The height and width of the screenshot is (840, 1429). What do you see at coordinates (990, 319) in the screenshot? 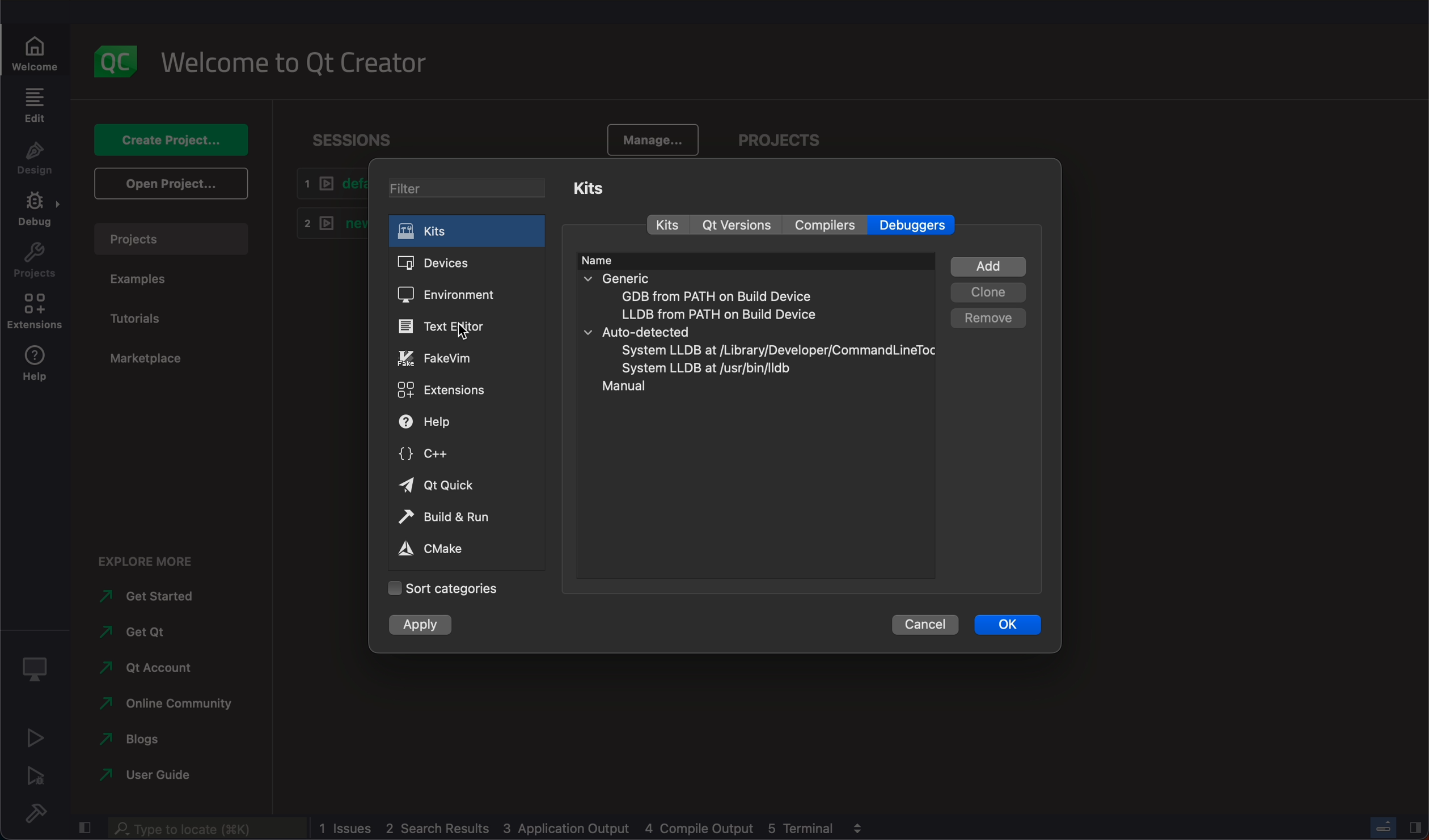
I see `remove` at bounding box center [990, 319].